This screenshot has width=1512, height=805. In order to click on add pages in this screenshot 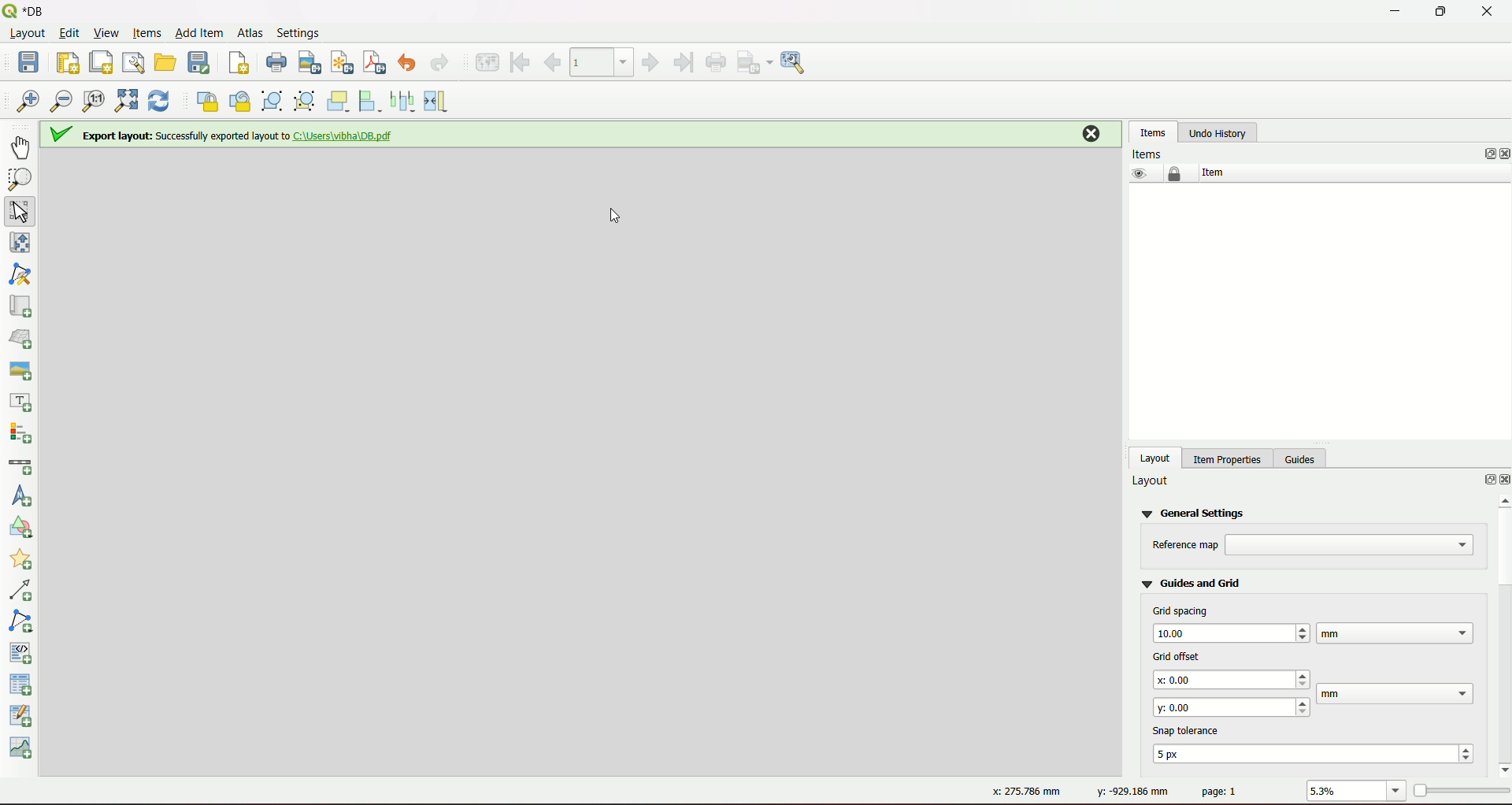, I will do `click(238, 65)`.